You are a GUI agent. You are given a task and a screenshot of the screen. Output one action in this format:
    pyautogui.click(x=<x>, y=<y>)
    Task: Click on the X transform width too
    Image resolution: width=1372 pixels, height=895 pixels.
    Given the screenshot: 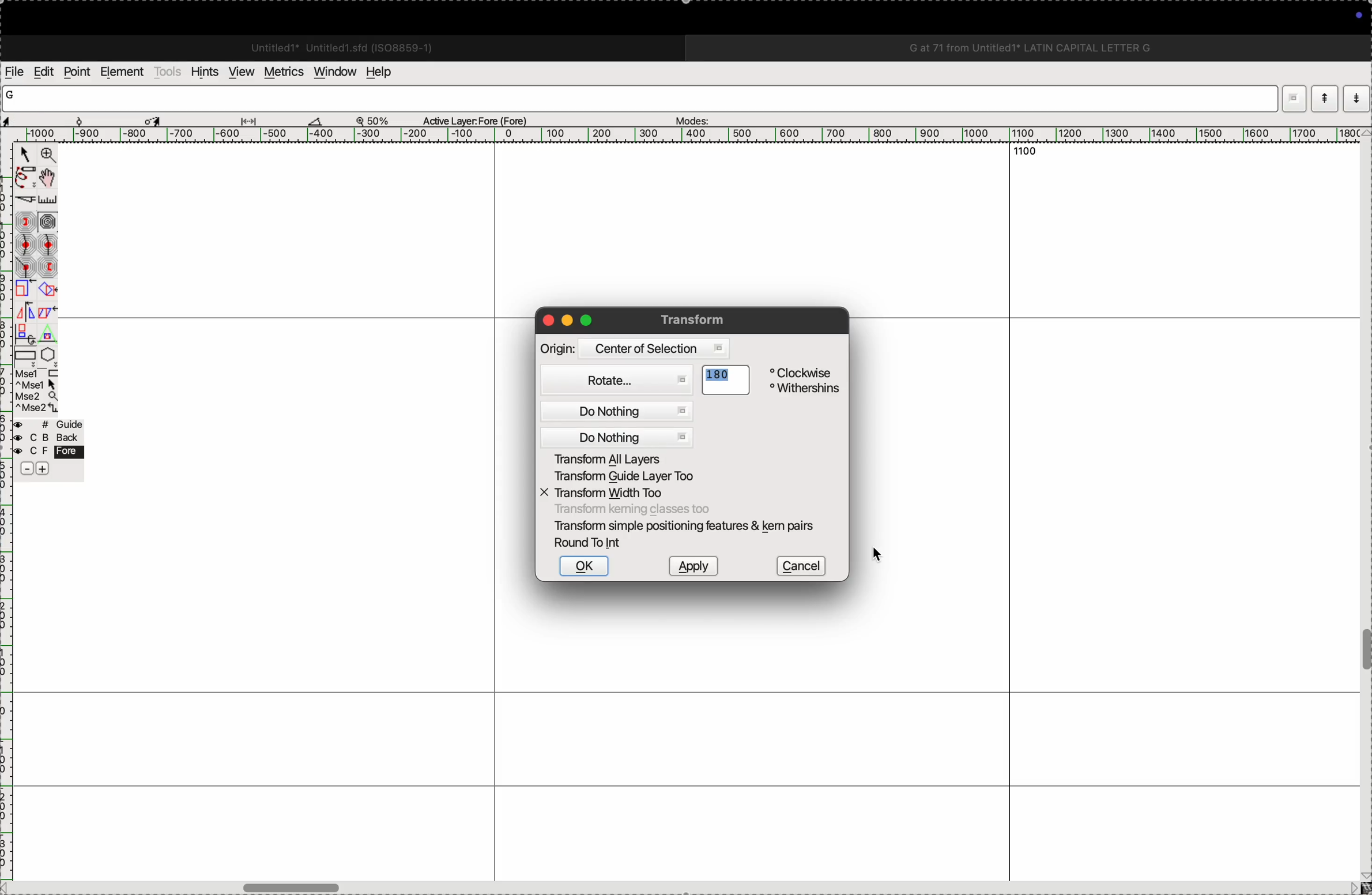 What is the action you would take?
    pyautogui.click(x=630, y=491)
    